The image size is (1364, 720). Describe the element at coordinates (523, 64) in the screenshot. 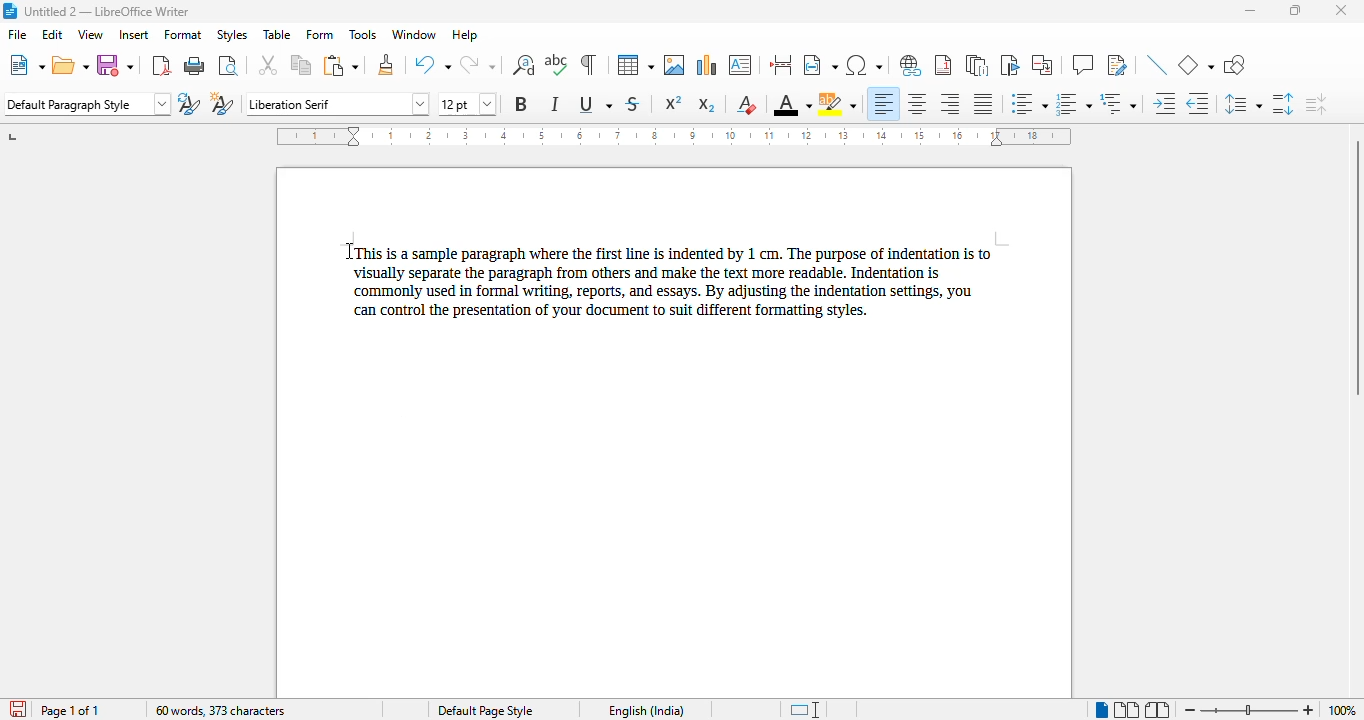

I see `find and replace` at that location.